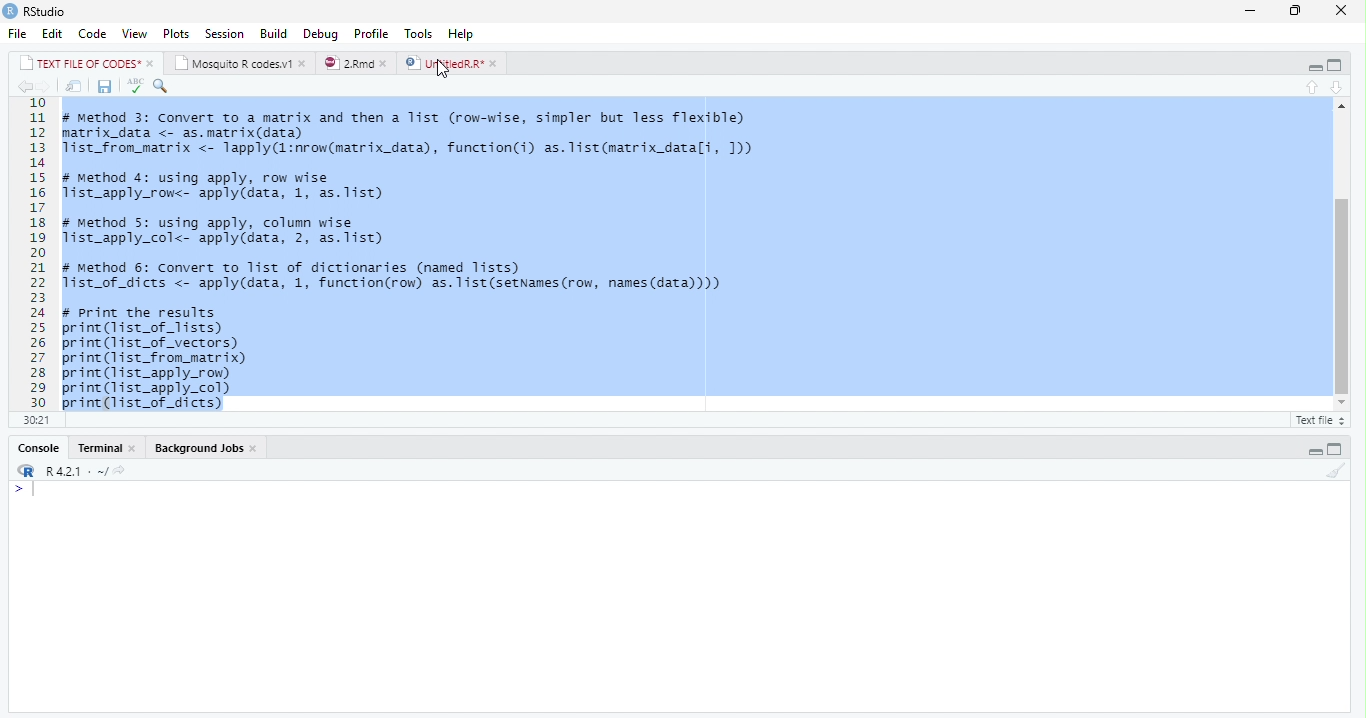 The height and width of the screenshot is (718, 1366). I want to click on Debug, so click(321, 33).